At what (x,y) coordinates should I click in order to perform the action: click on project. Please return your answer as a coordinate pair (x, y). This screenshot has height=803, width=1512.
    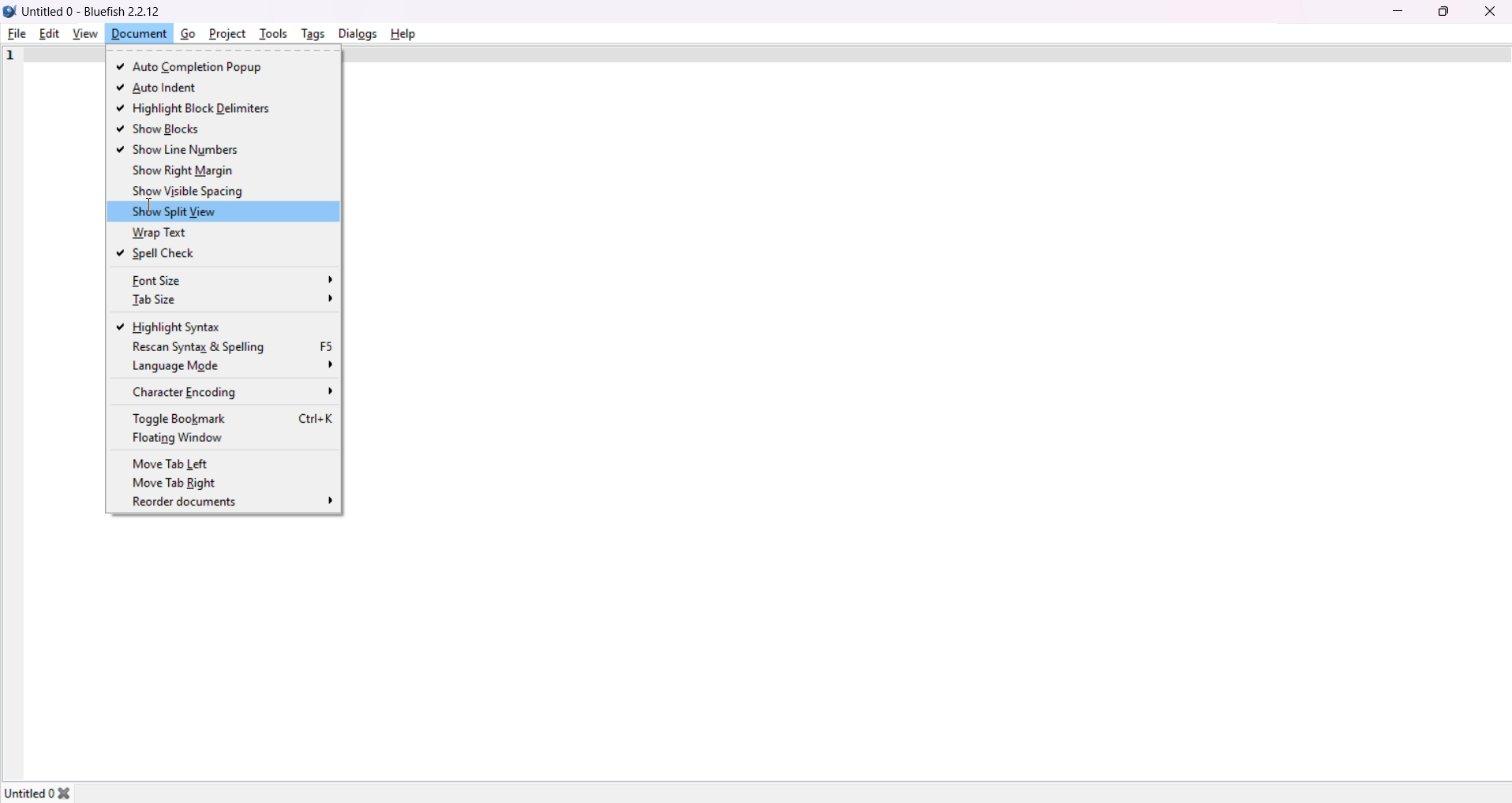
    Looking at the image, I should click on (226, 32).